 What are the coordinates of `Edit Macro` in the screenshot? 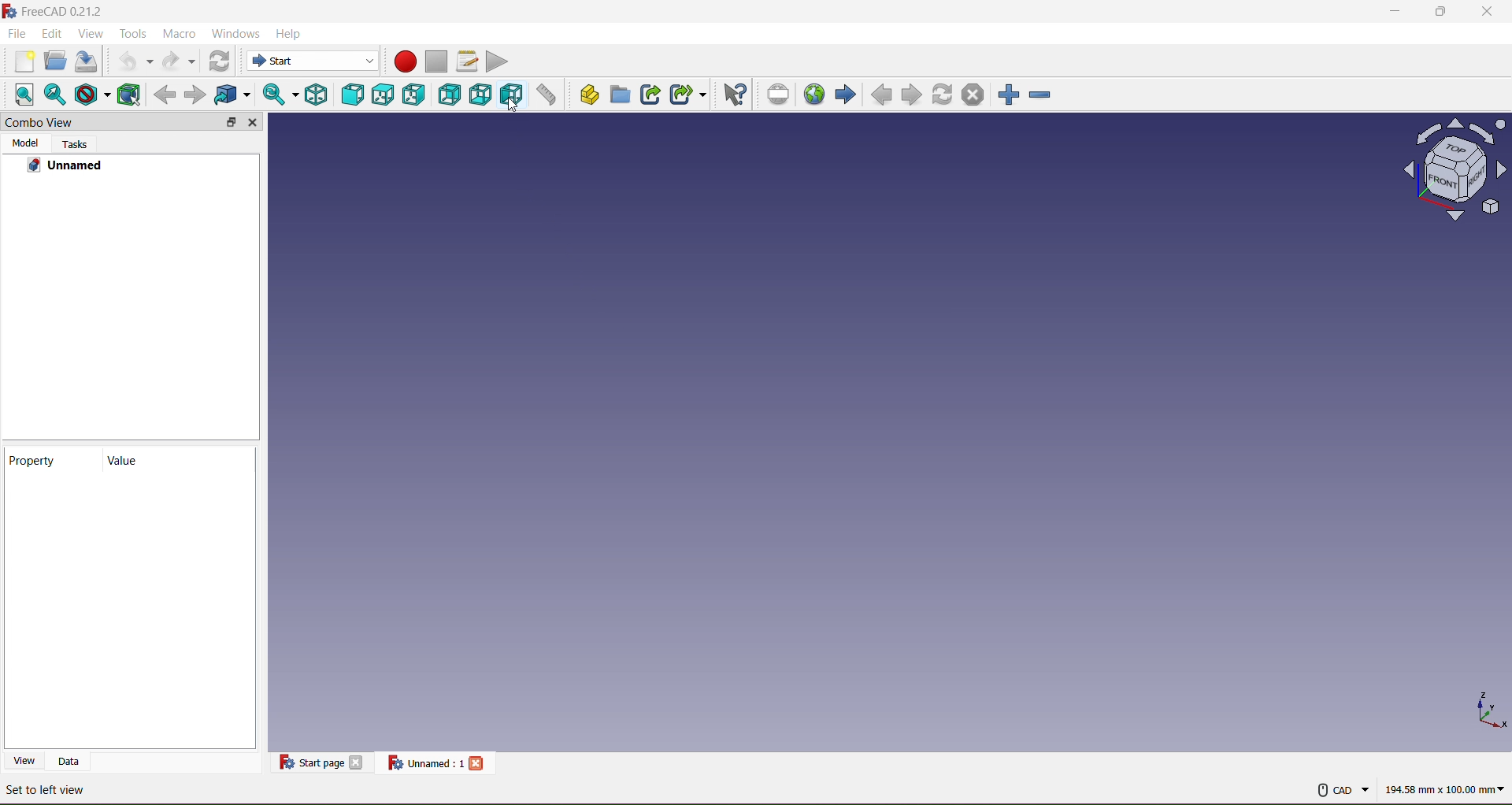 It's located at (466, 61).